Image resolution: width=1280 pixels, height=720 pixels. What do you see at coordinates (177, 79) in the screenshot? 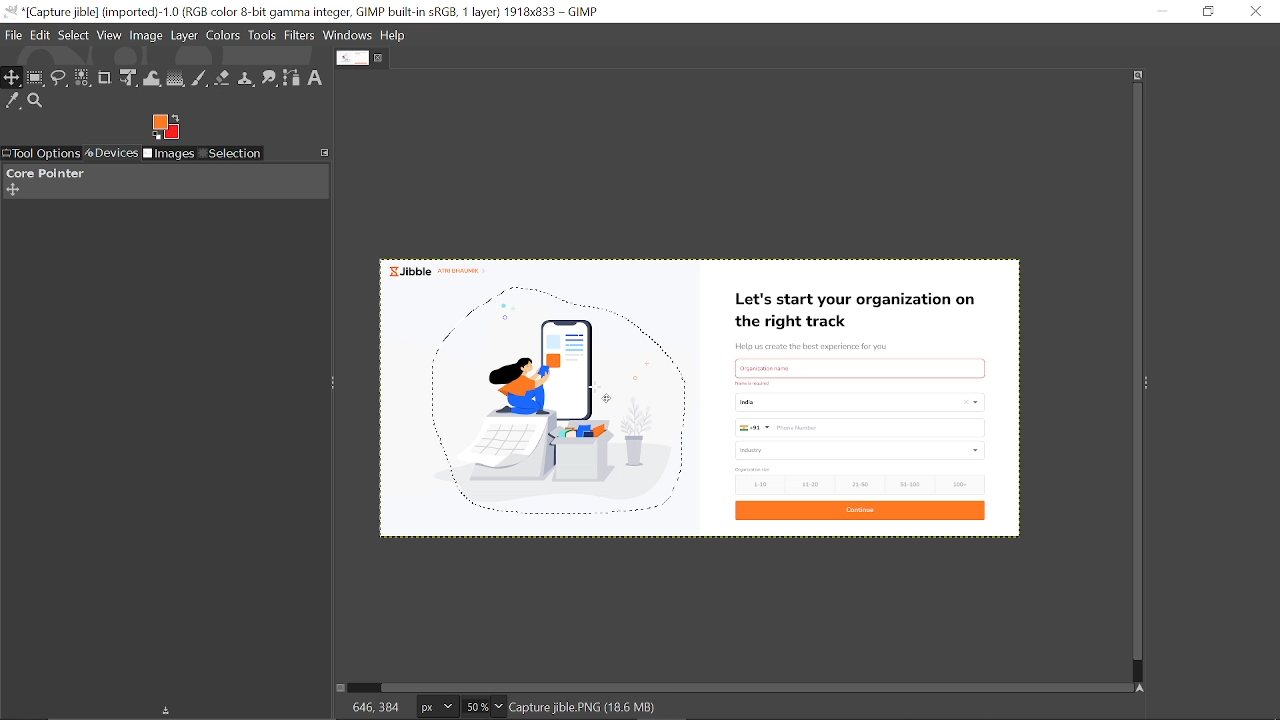
I see `Gradient tool` at bounding box center [177, 79].